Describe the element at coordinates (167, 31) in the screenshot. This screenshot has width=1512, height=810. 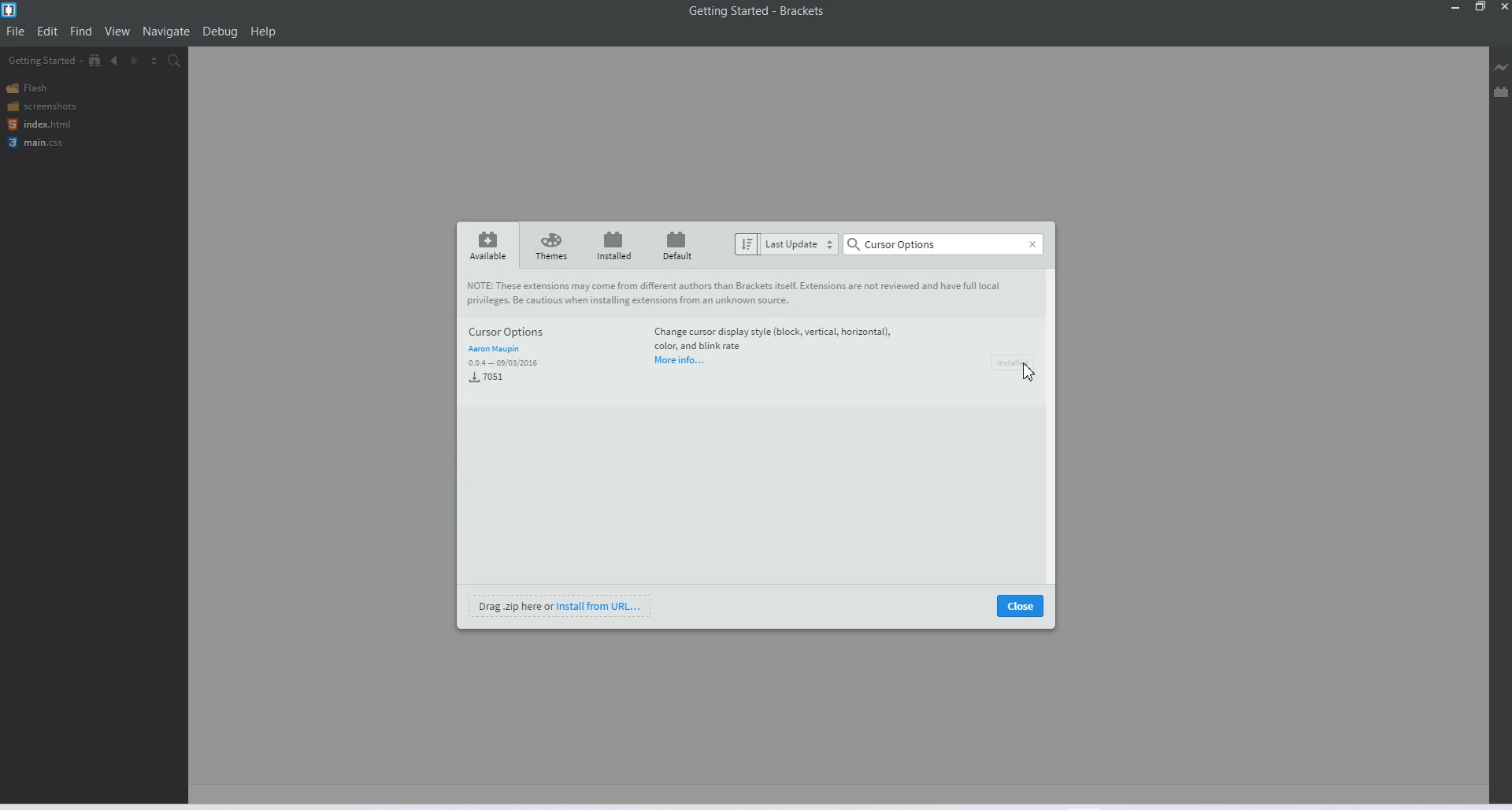
I see `Navigation` at that location.